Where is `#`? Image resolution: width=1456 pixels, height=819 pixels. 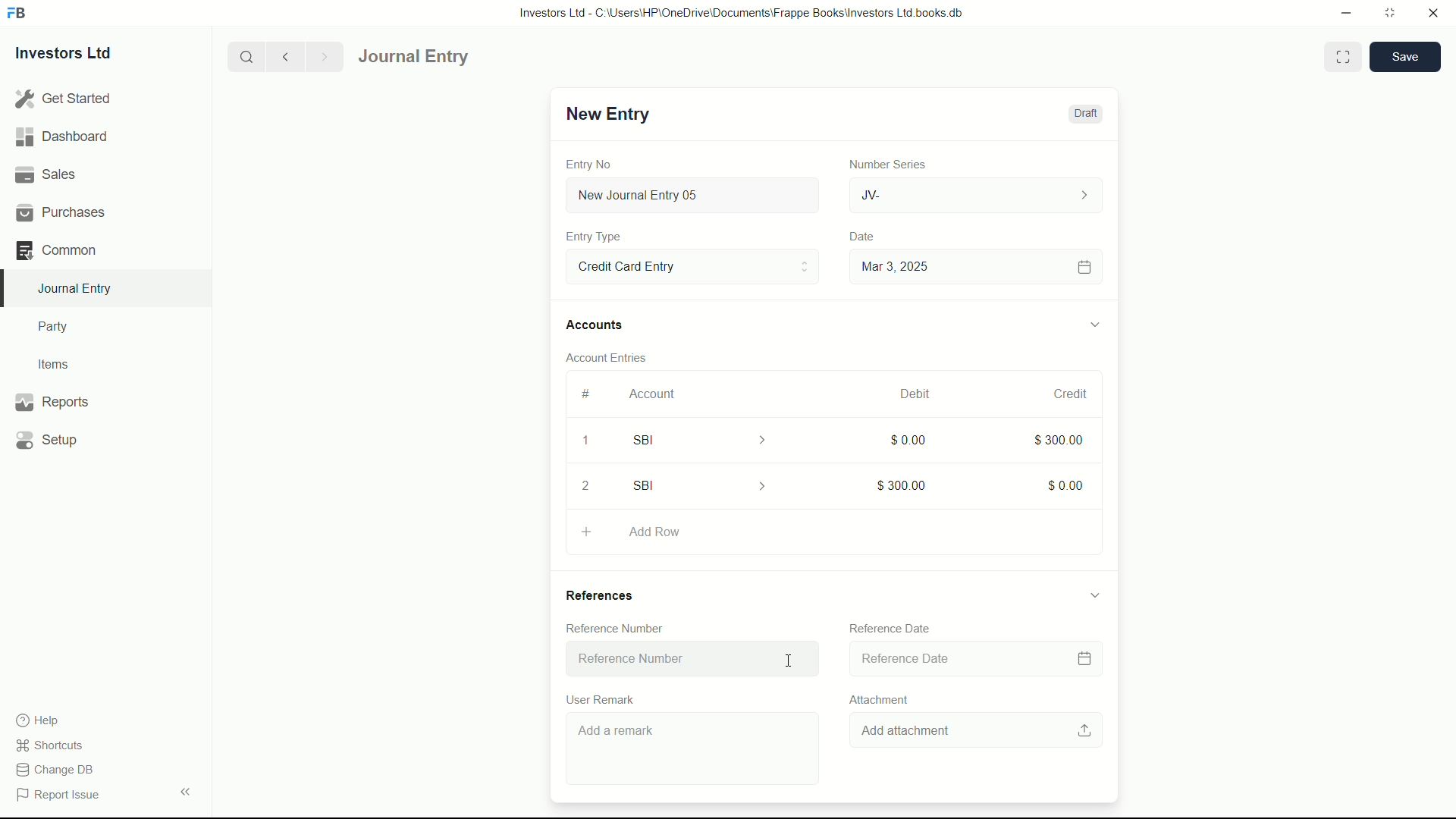 # is located at coordinates (587, 394).